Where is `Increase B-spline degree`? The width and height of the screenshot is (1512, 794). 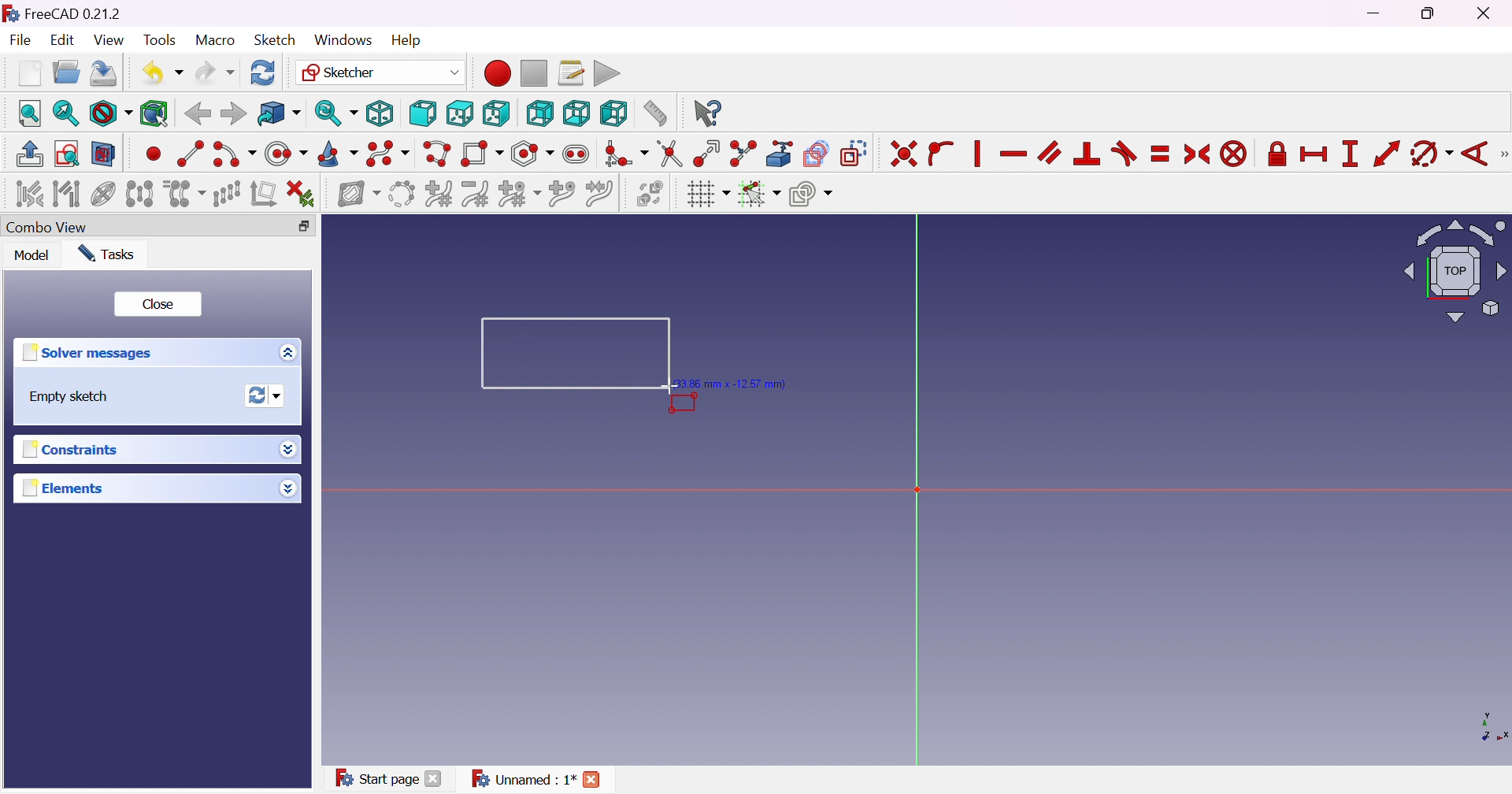 Increase B-spline degree is located at coordinates (439, 192).